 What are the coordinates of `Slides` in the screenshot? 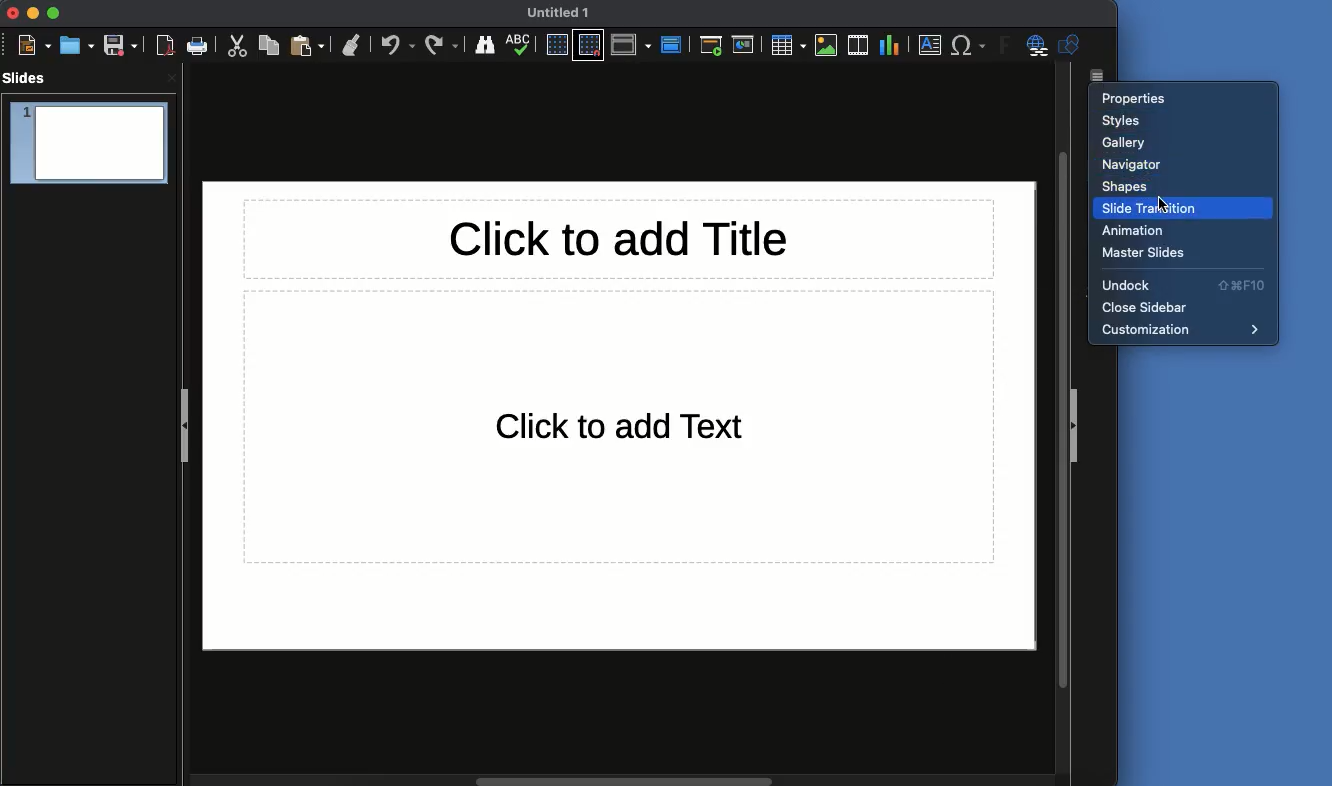 It's located at (28, 78).